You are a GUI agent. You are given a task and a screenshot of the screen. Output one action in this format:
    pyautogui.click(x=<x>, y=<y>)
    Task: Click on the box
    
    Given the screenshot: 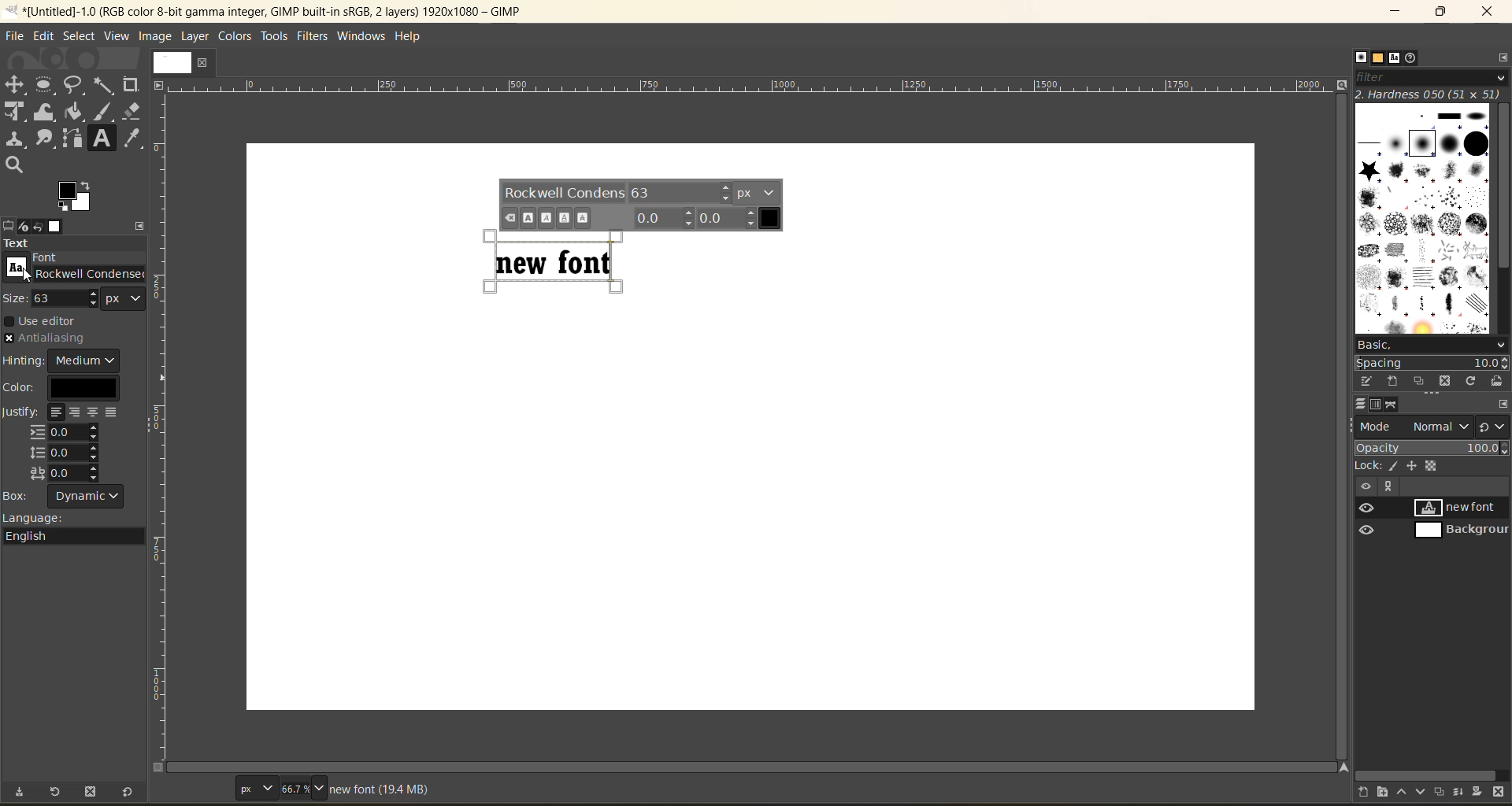 What is the action you would take?
    pyautogui.click(x=65, y=494)
    